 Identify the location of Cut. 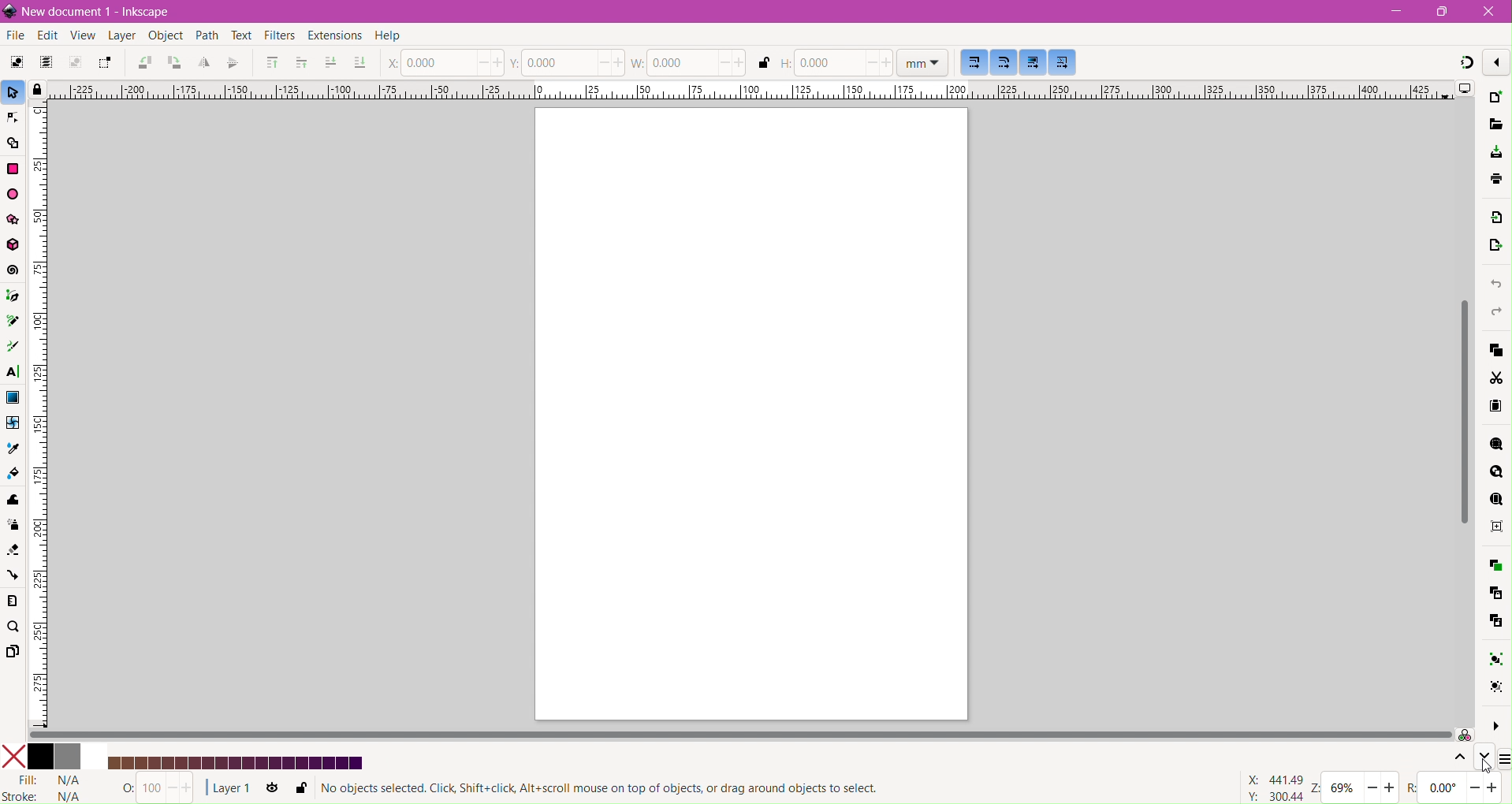
(1496, 378).